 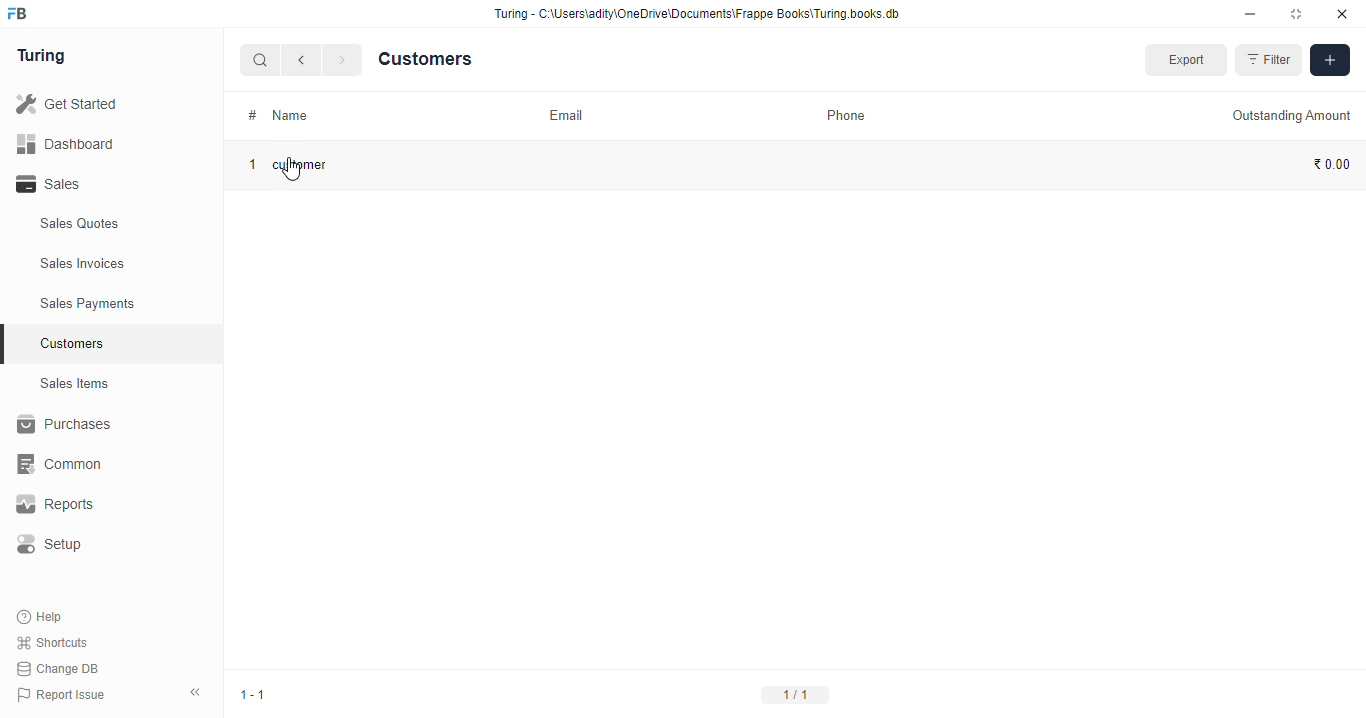 I want to click on Change DB, so click(x=62, y=668).